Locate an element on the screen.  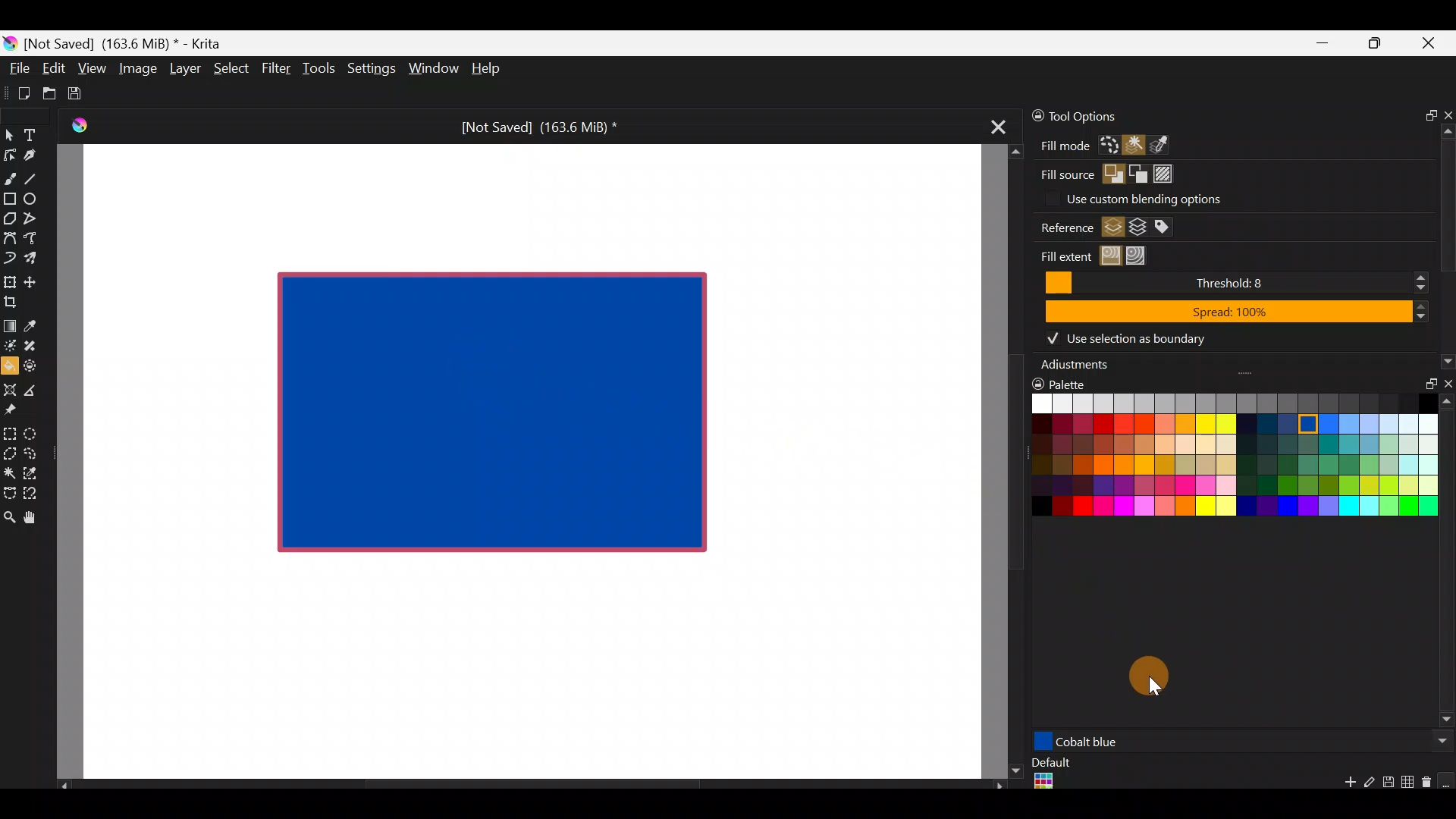
Select shapes tool is located at coordinates (12, 137).